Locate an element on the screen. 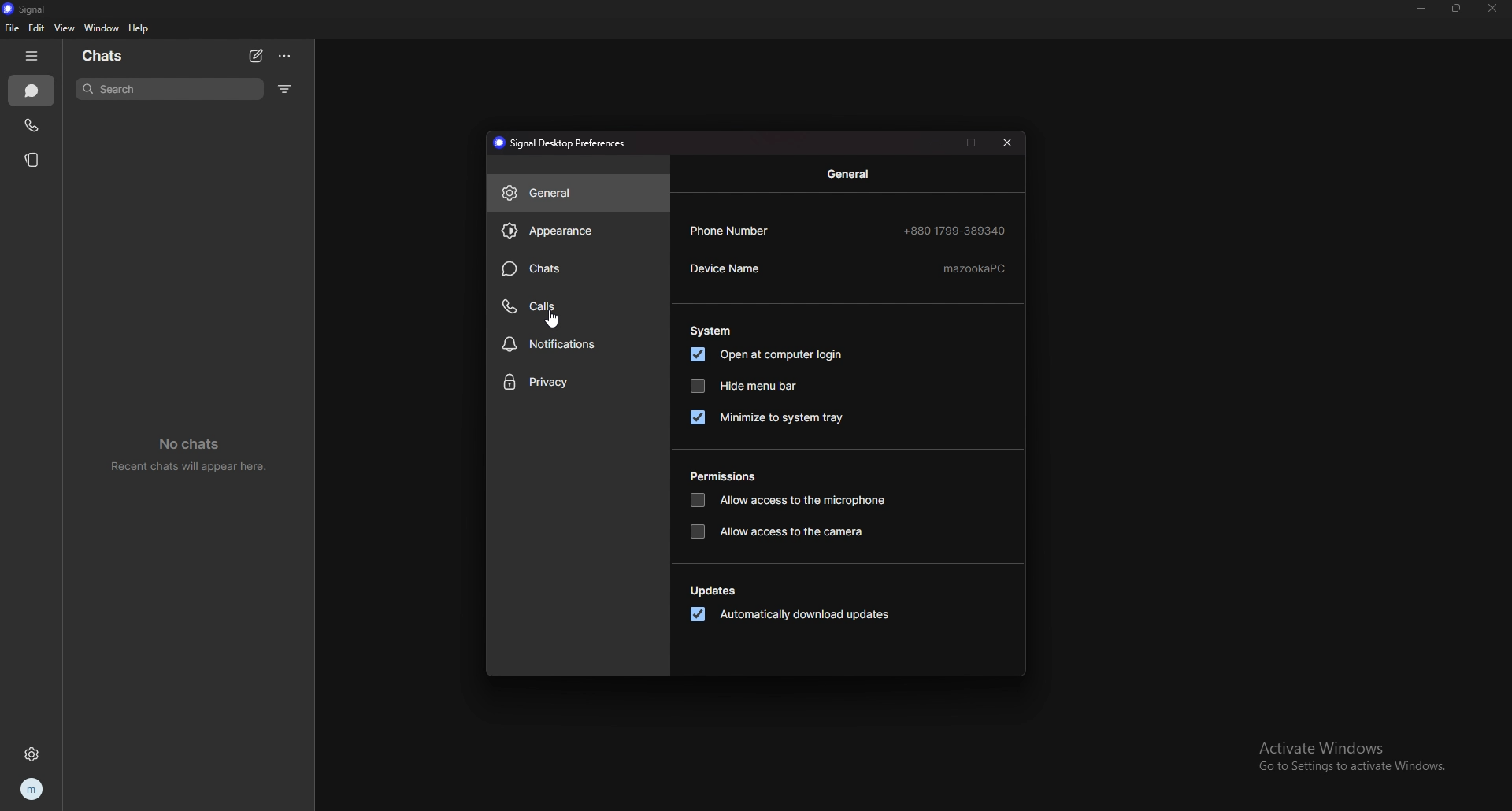 Image resolution: width=1512 pixels, height=811 pixels. new chat is located at coordinates (257, 56).